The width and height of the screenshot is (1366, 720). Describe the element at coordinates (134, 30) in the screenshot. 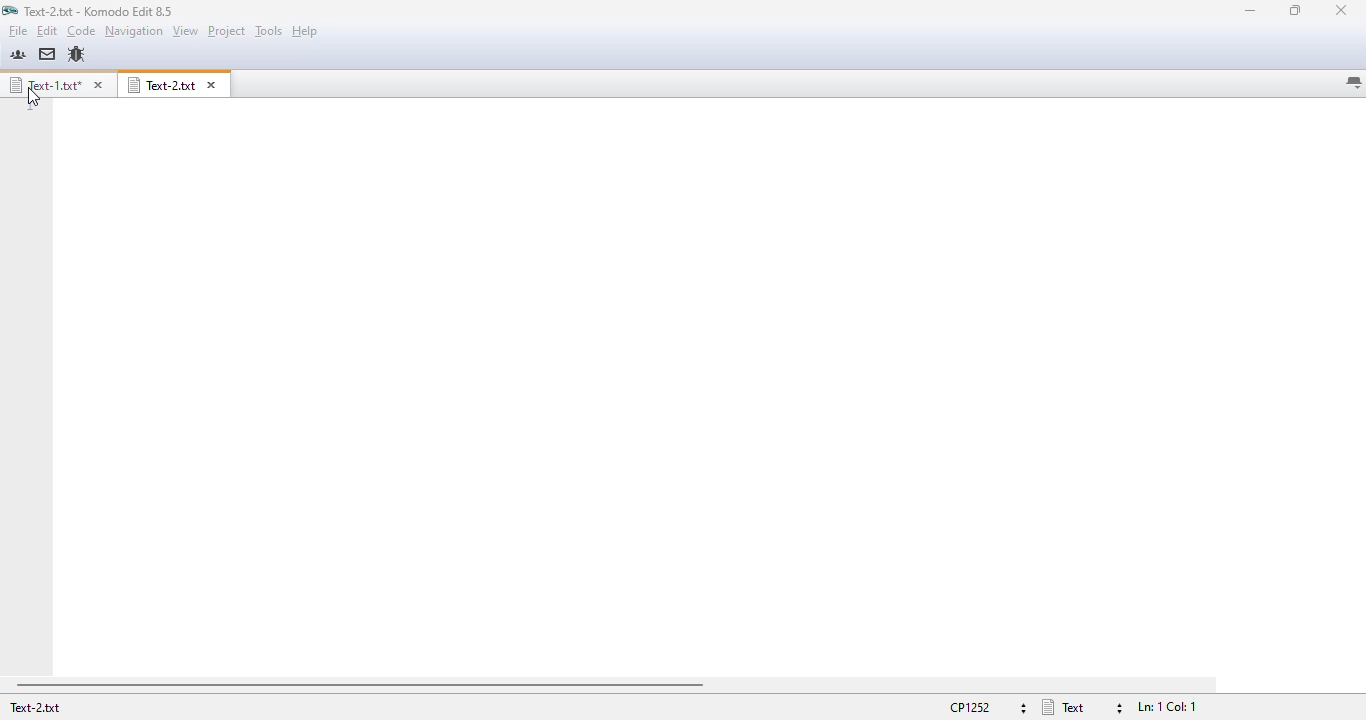

I see `navigation` at that location.